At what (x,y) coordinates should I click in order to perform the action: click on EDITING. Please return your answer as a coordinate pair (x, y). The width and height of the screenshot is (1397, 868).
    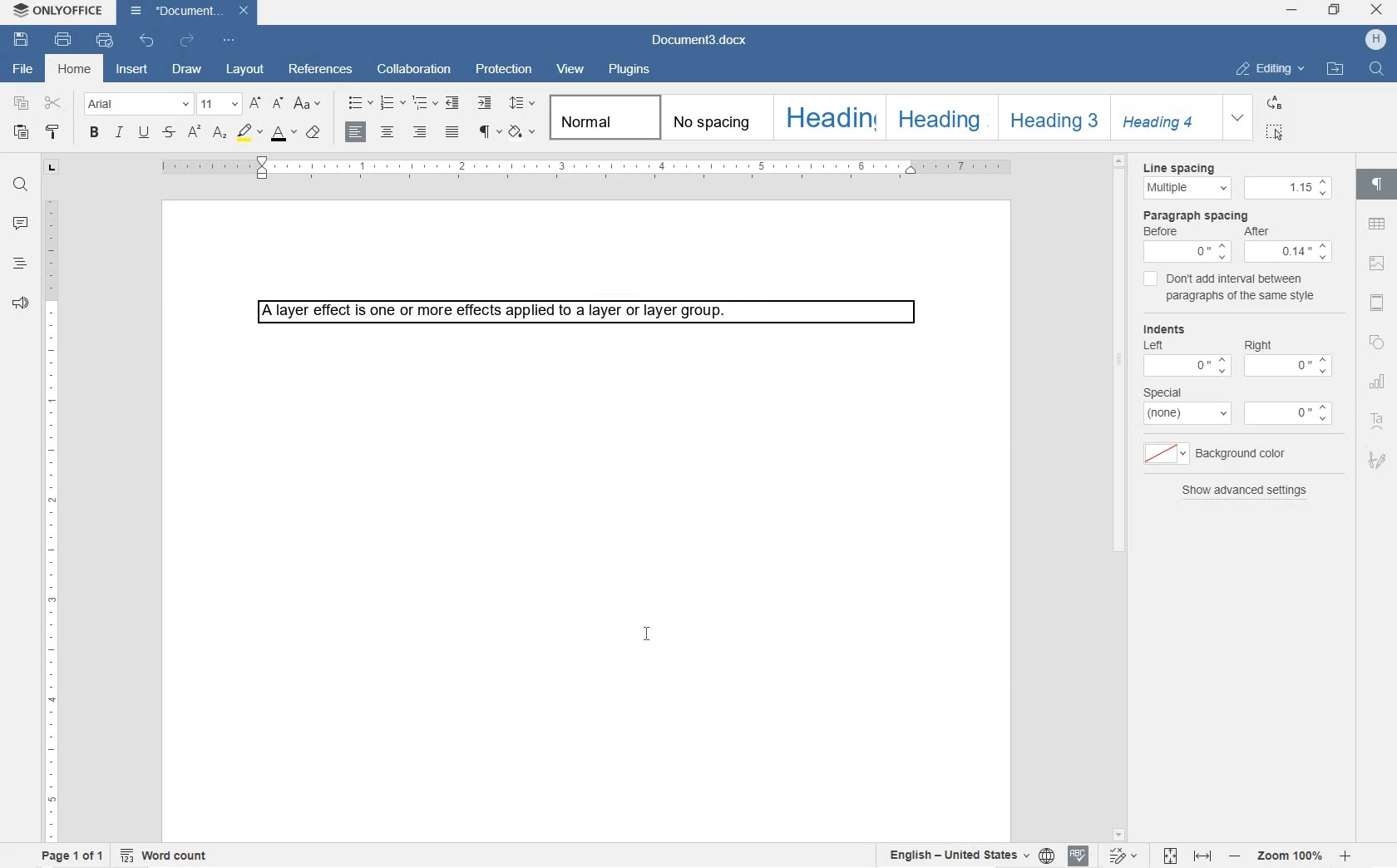
    Looking at the image, I should click on (1271, 69).